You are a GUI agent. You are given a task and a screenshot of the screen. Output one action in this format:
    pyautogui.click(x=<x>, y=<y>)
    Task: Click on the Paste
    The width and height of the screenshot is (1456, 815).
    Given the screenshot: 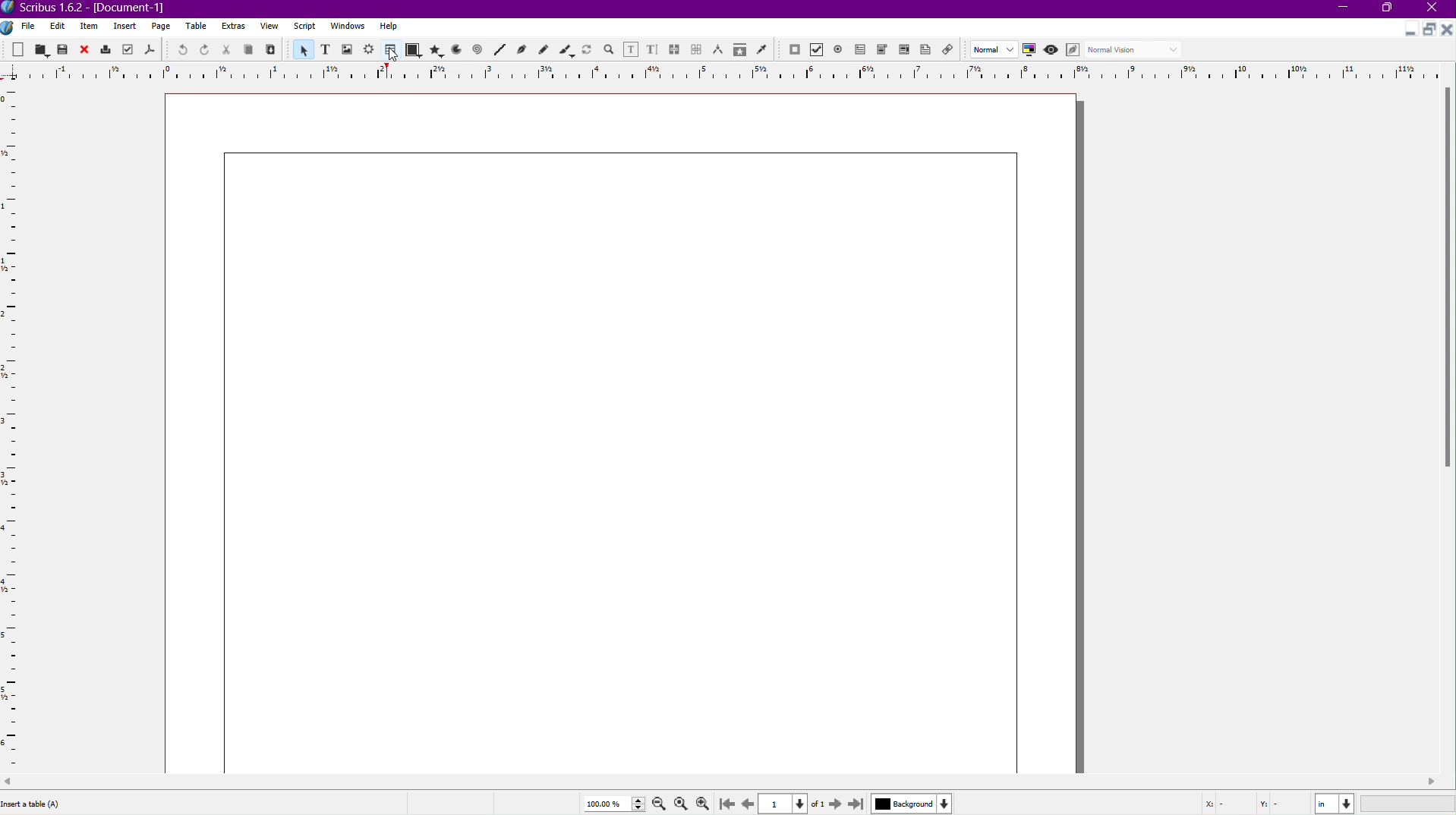 What is the action you would take?
    pyautogui.click(x=272, y=50)
    